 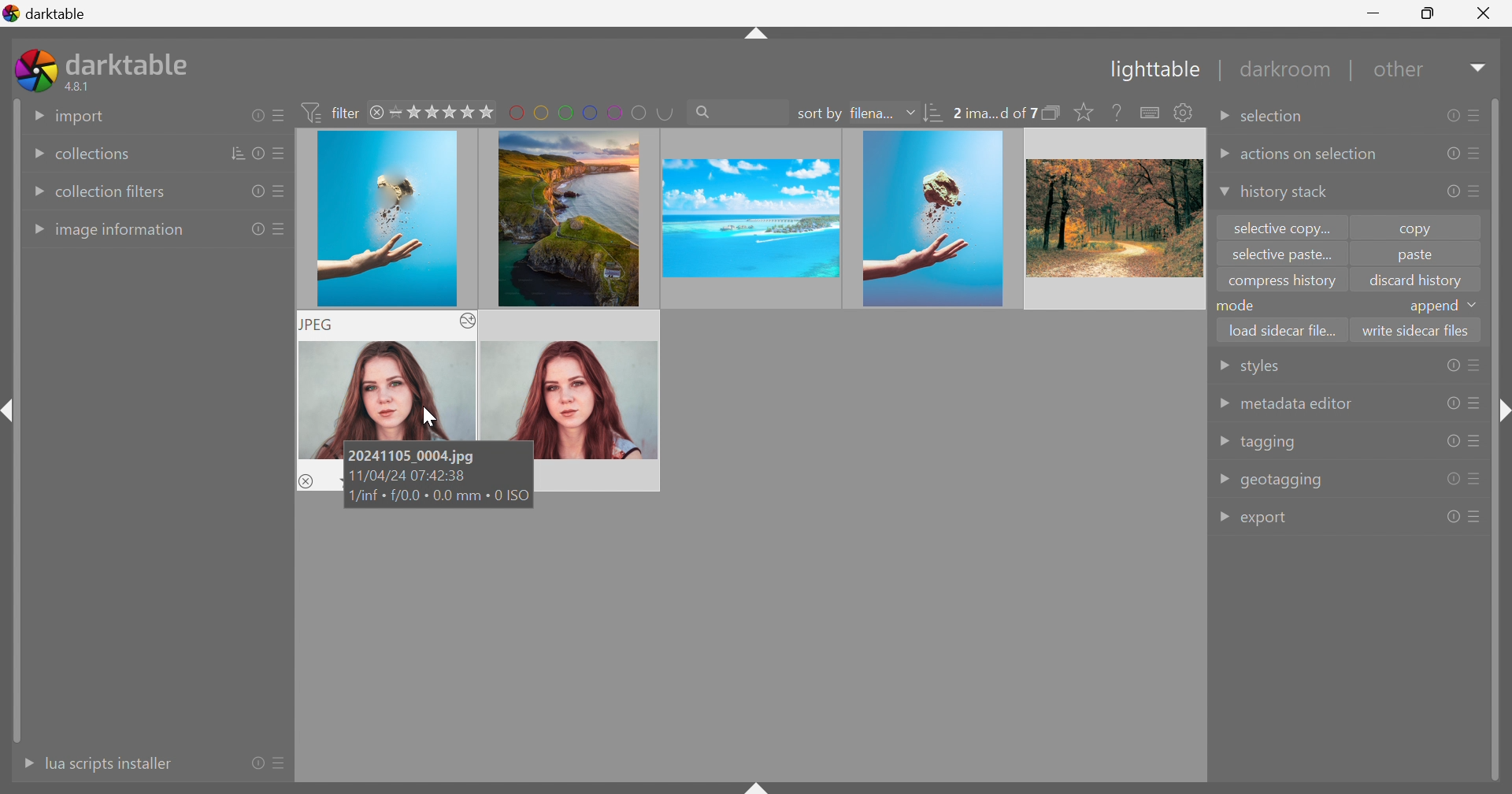 I want to click on other, so click(x=1402, y=74).